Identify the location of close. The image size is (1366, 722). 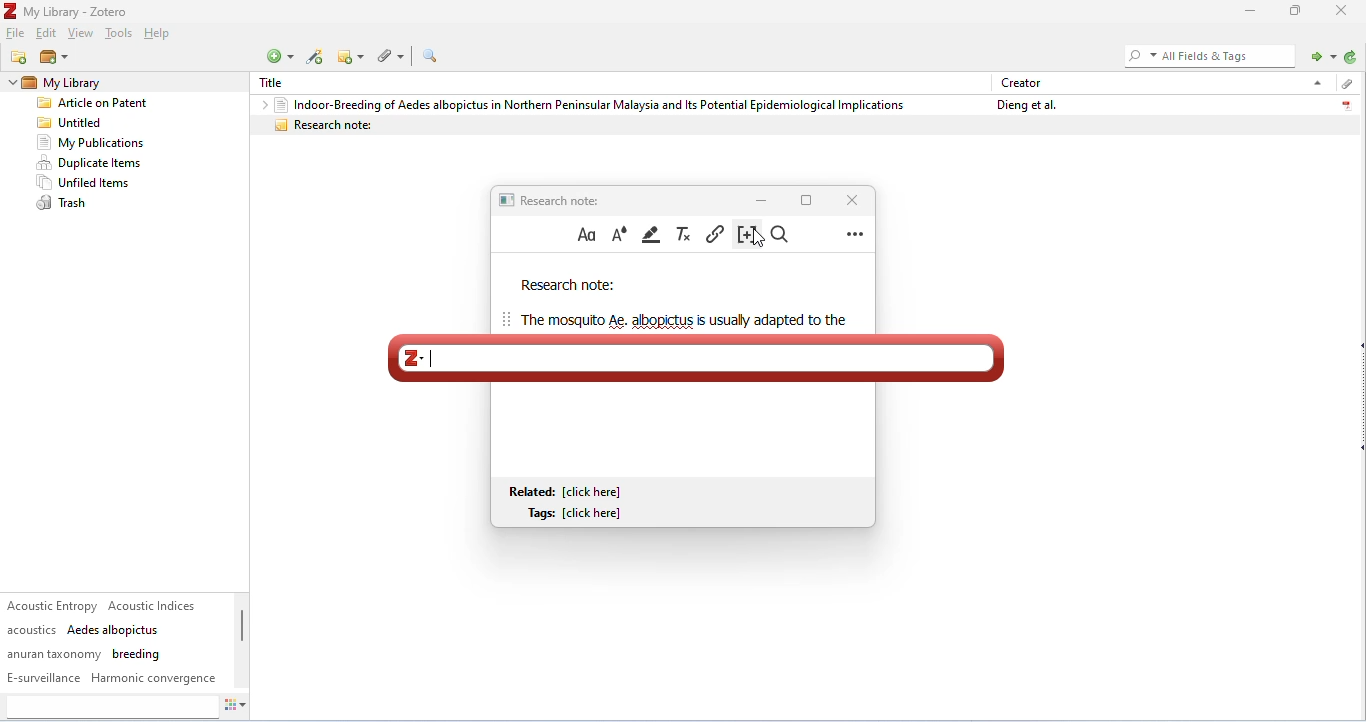
(1344, 10).